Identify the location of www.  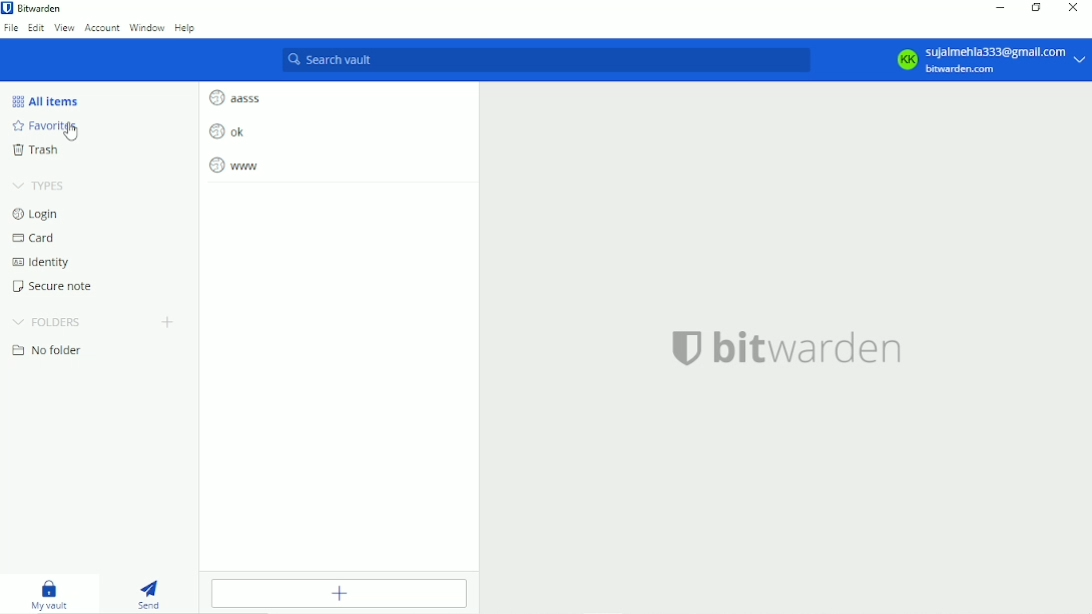
(234, 164).